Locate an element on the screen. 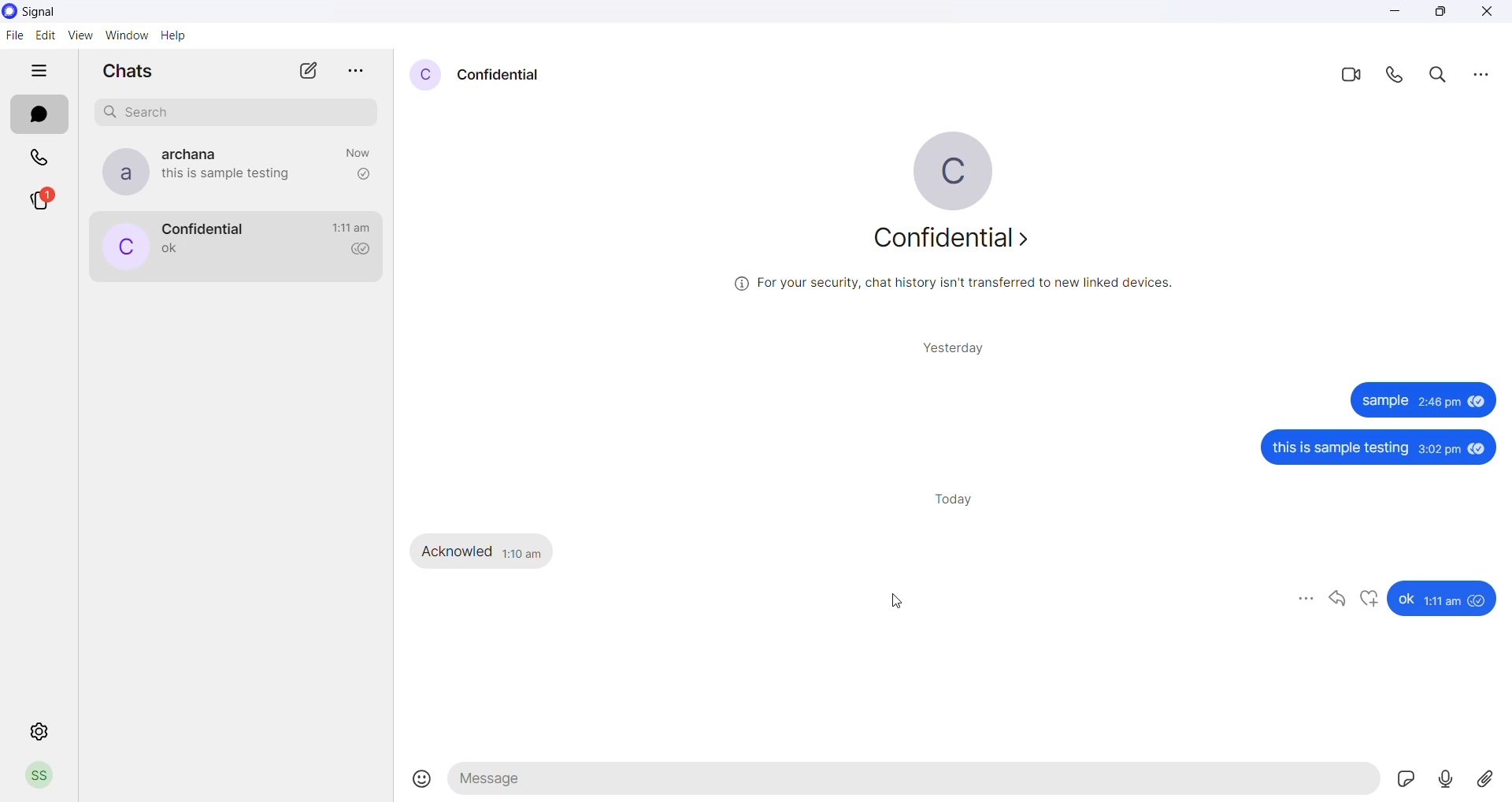 This screenshot has height=802, width=1512. edit is located at coordinates (46, 35).